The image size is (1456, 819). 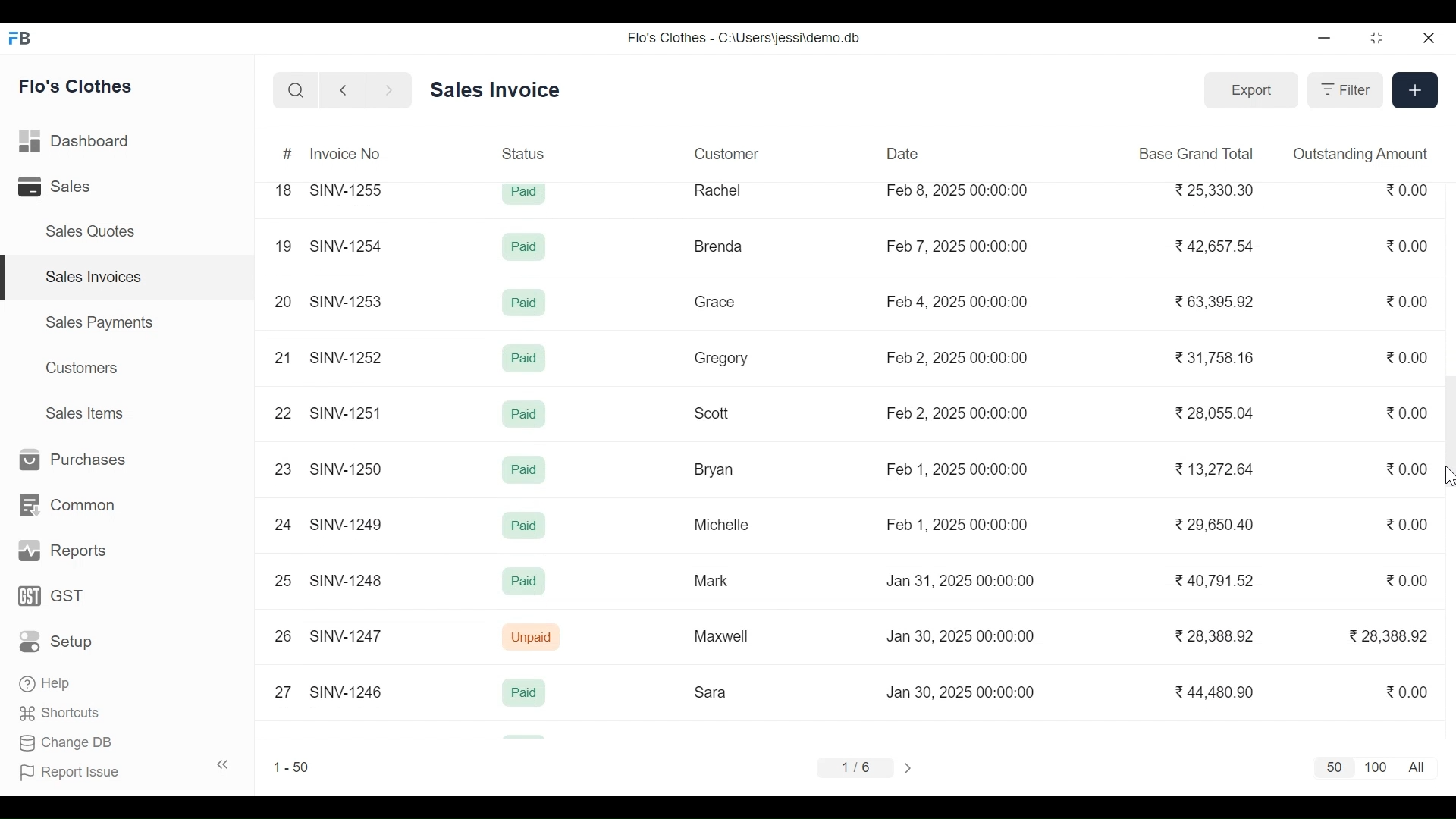 I want to click on 26, so click(x=284, y=636).